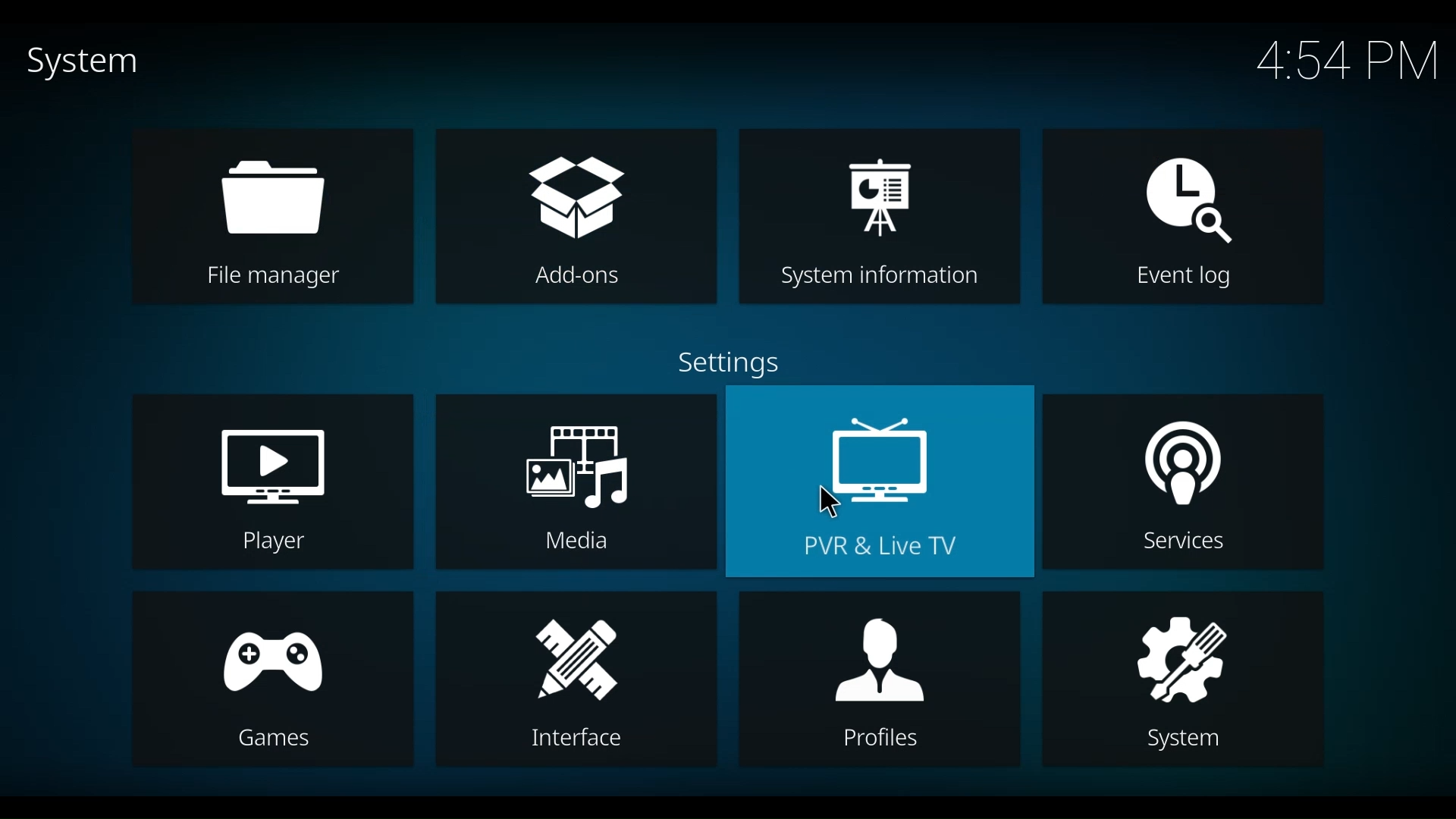  What do you see at coordinates (75, 62) in the screenshot?
I see `System` at bounding box center [75, 62].